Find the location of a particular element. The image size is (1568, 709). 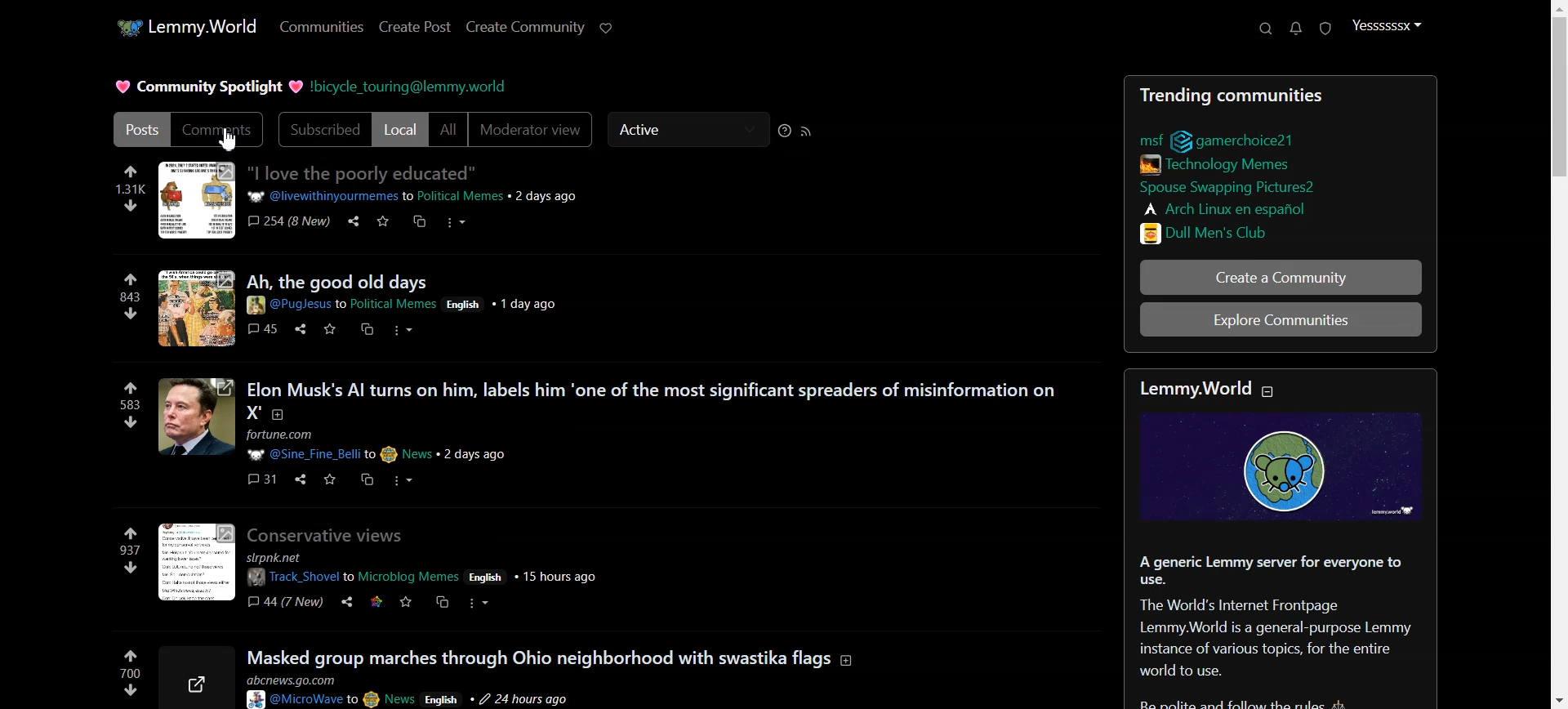

Communities is located at coordinates (319, 27).